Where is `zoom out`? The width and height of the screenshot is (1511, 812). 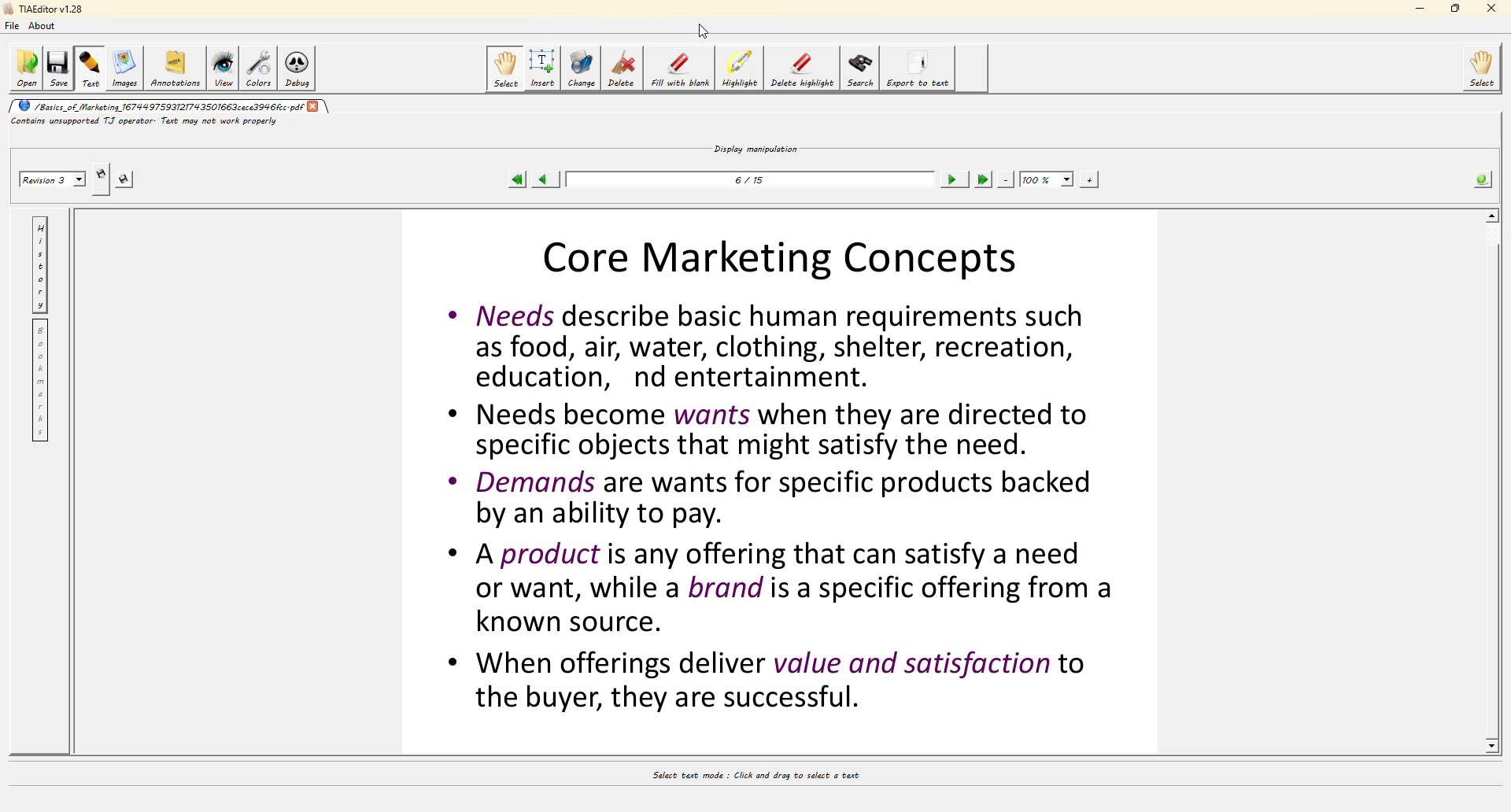
zoom out is located at coordinates (1007, 179).